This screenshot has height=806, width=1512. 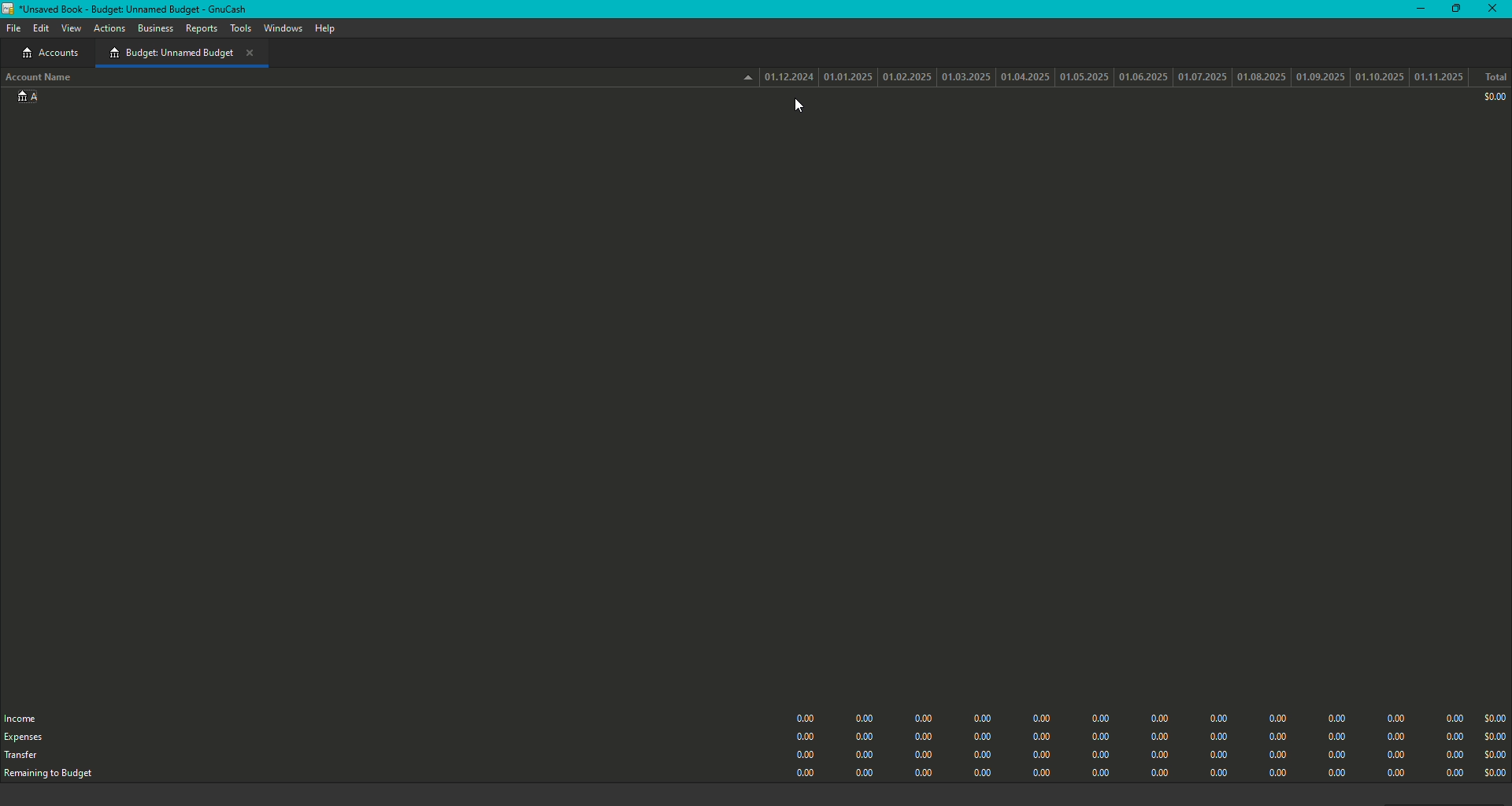 I want to click on Windows, so click(x=283, y=29).